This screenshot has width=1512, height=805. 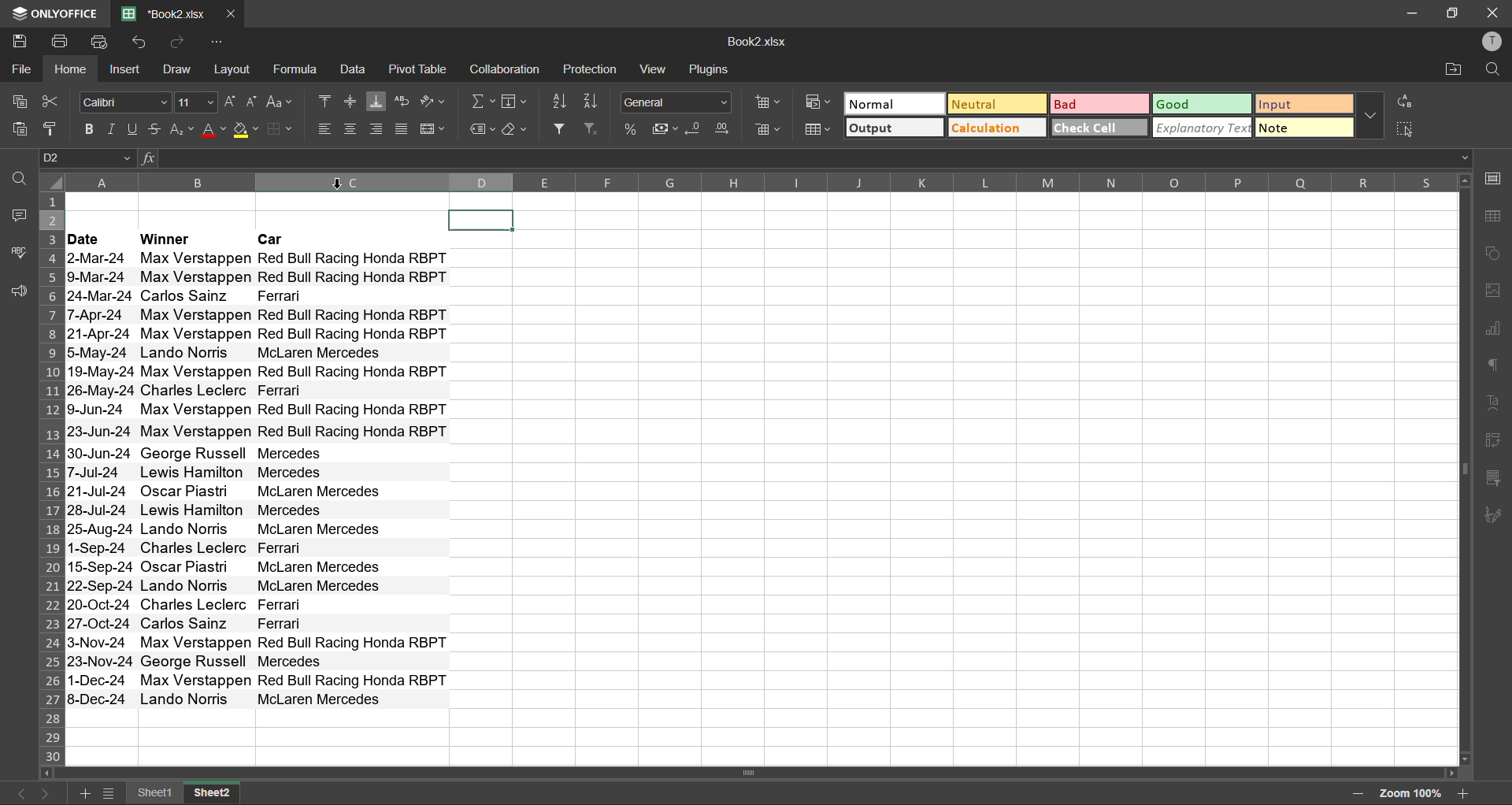 I want to click on select all, so click(x=1406, y=131).